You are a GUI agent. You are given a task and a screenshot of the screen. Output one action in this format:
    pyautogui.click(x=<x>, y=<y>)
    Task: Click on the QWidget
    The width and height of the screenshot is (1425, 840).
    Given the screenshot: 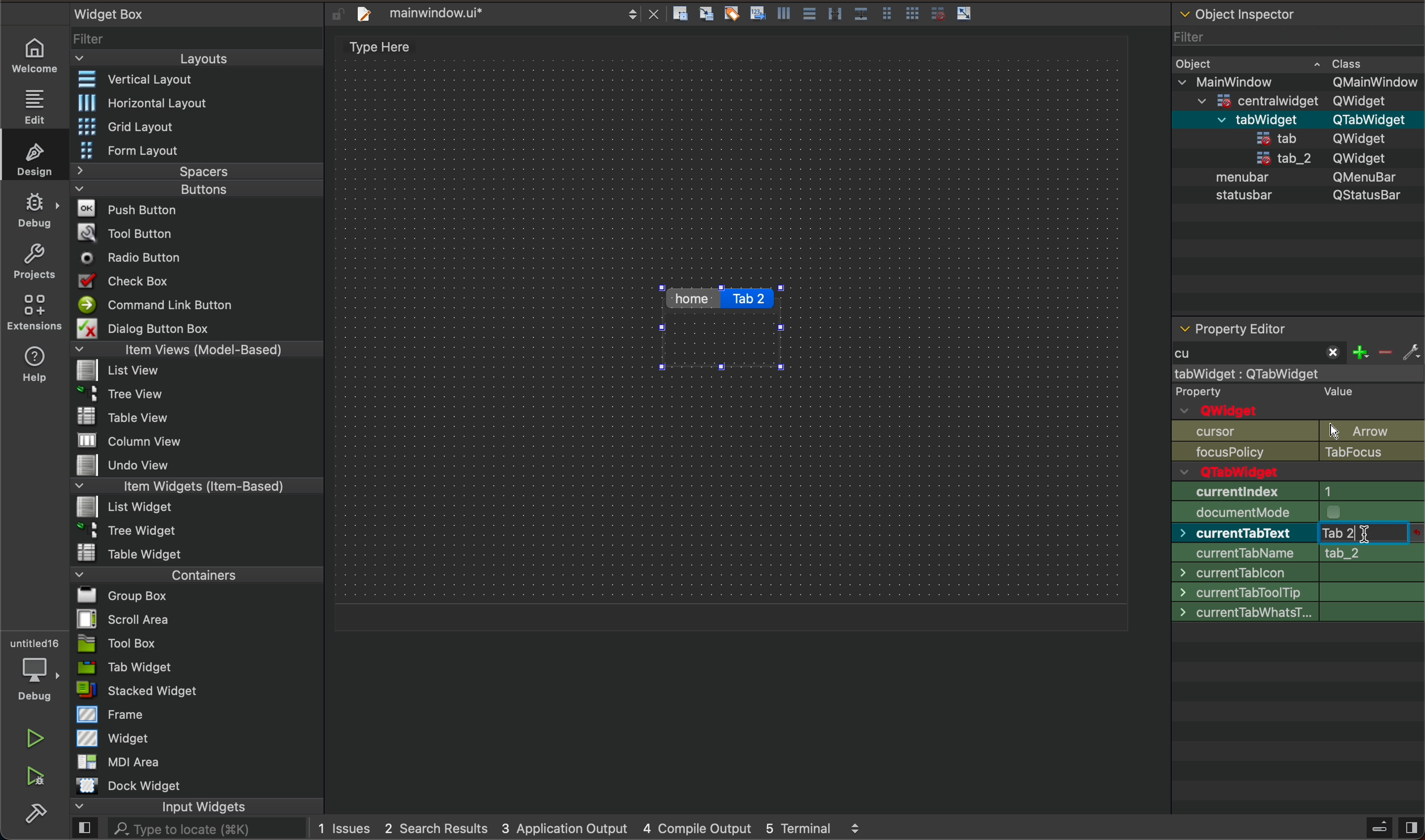 What is the action you would take?
    pyautogui.click(x=1362, y=157)
    